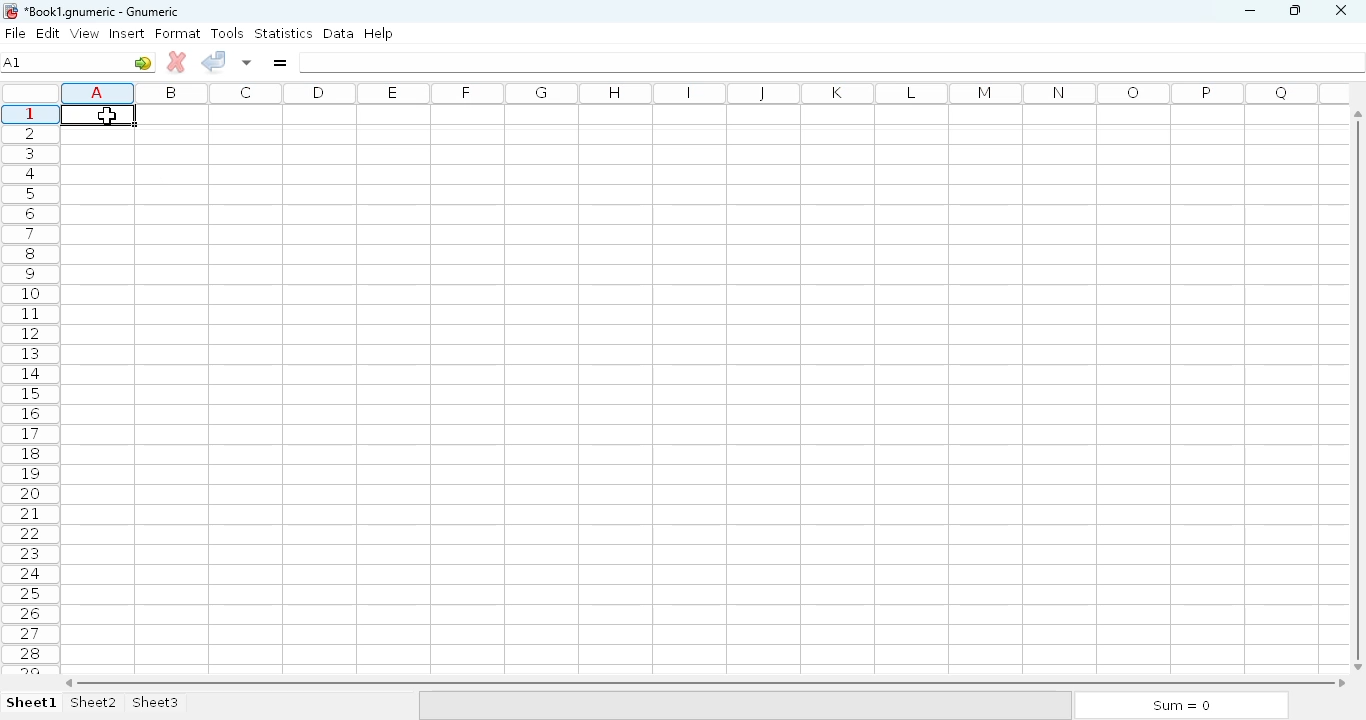 The height and width of the screenshot is (720, 1366). What do you see at coordinates (378, 34) in the screenshot?
I see `help` at bounding box center [378, 34].